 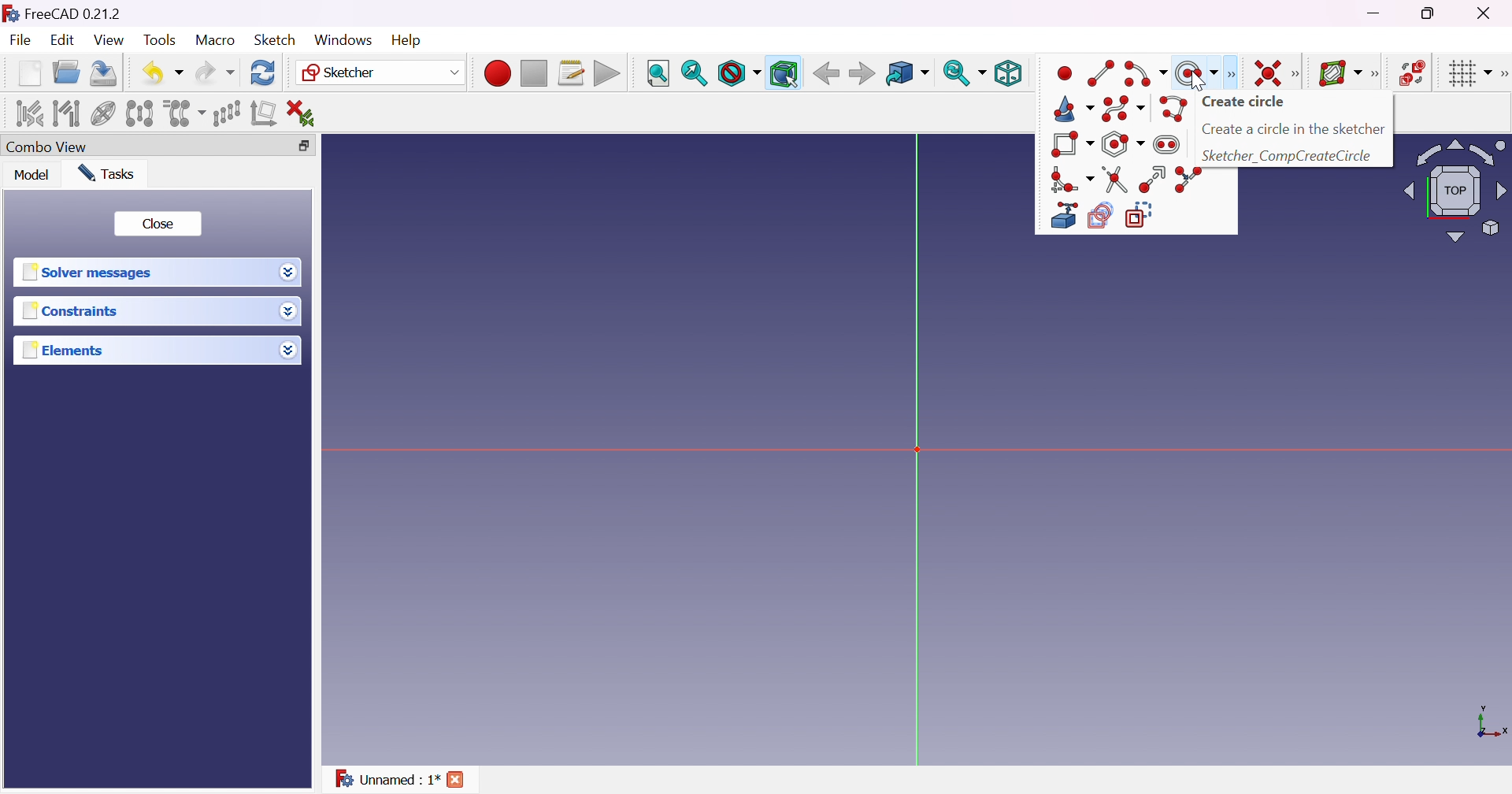 I want to click on Drop down, so click(x=288, y=350).